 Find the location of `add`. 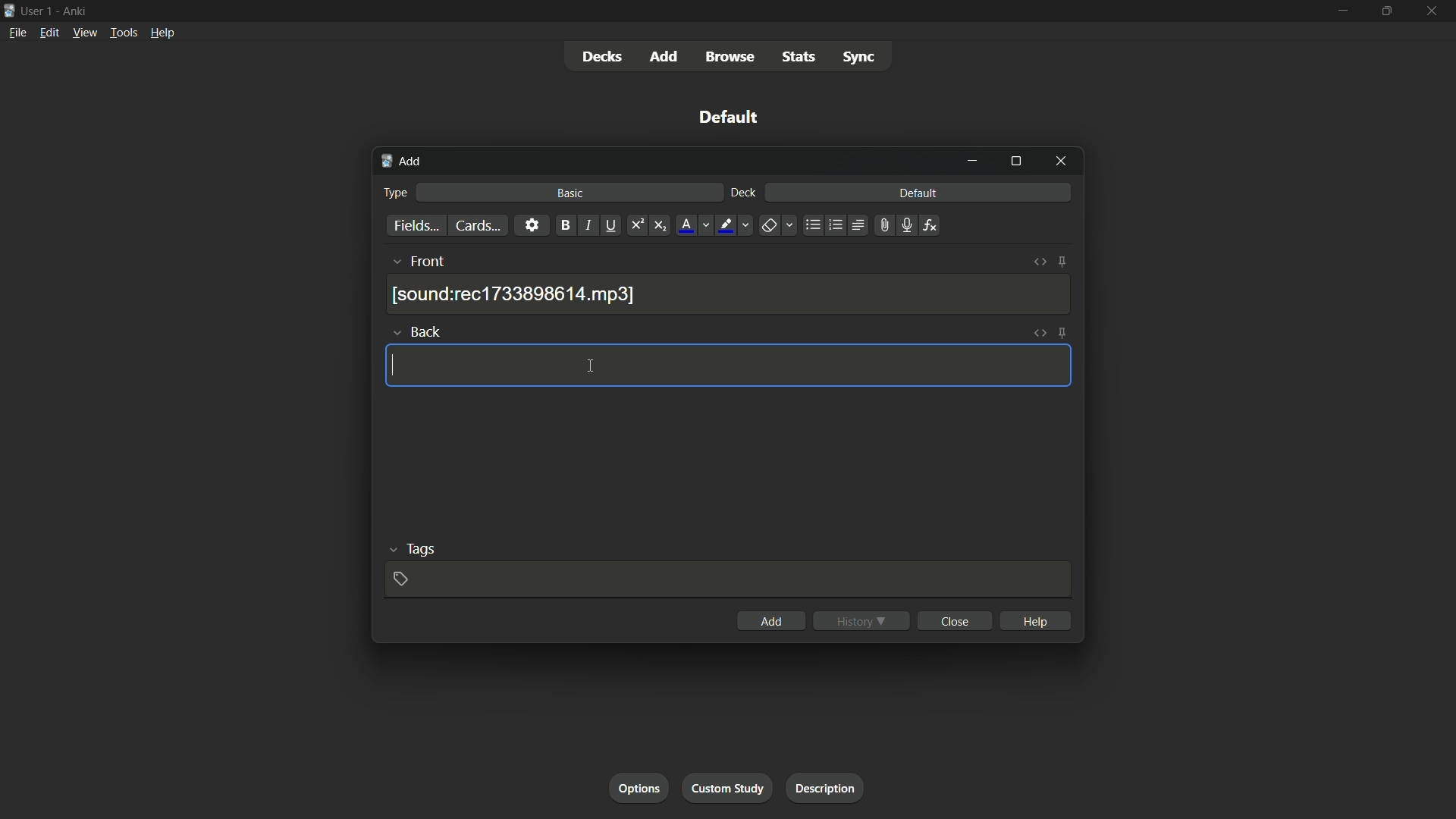

add is located at coordinates (665, 56).